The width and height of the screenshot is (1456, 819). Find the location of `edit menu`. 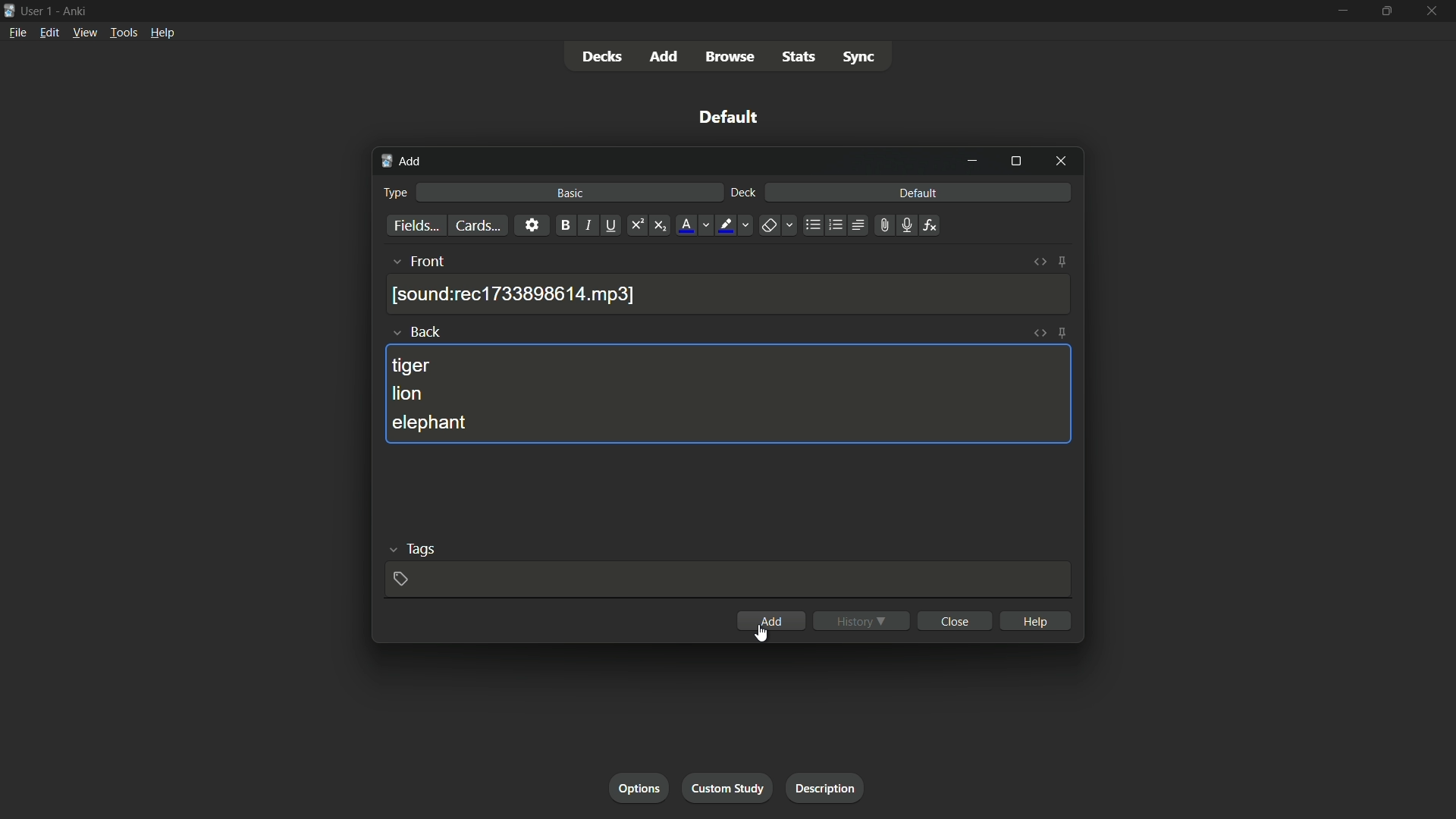

edit menu is located at coordinates (49, 33).